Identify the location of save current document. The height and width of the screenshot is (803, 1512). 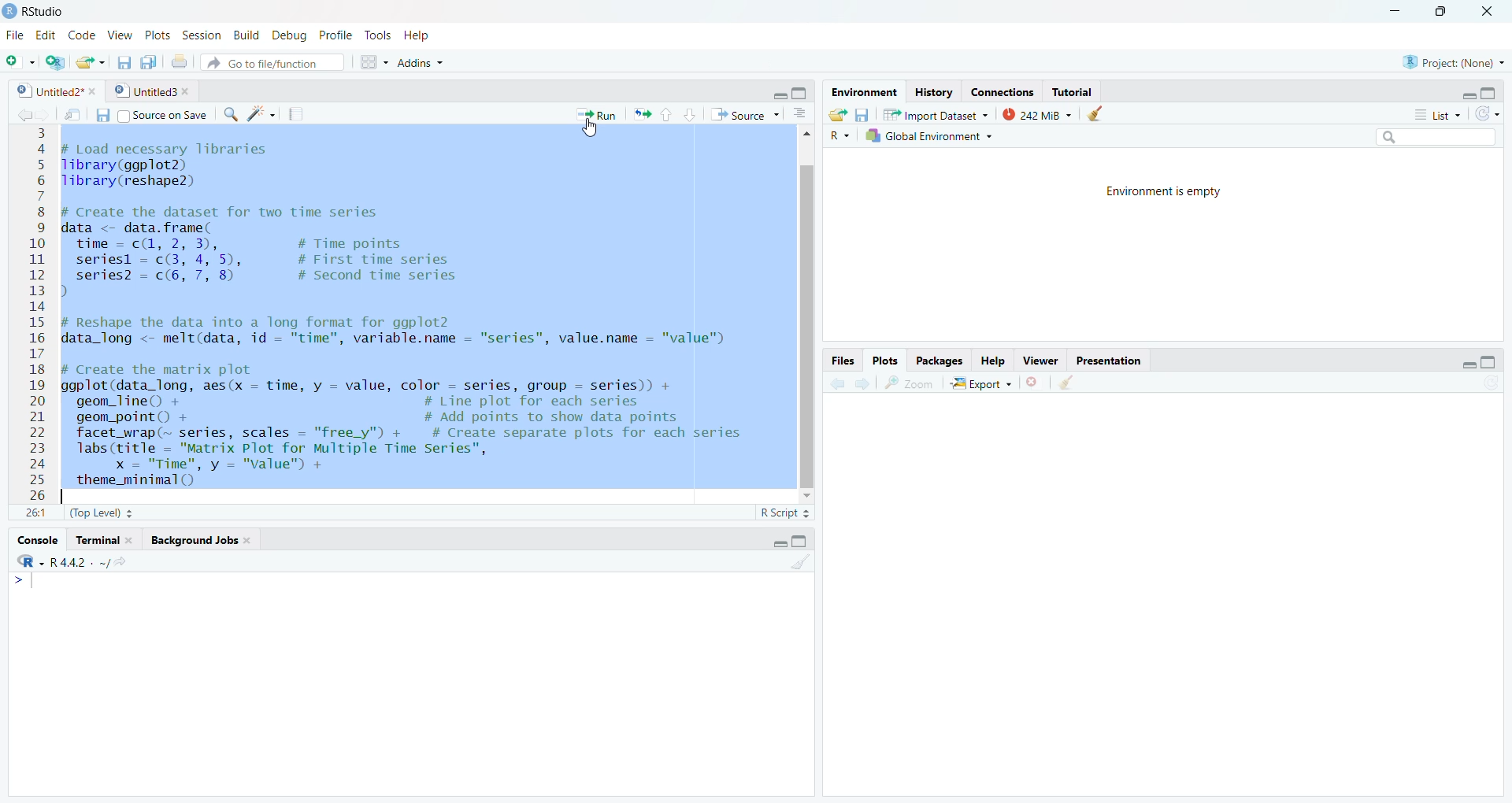
(122, 61).